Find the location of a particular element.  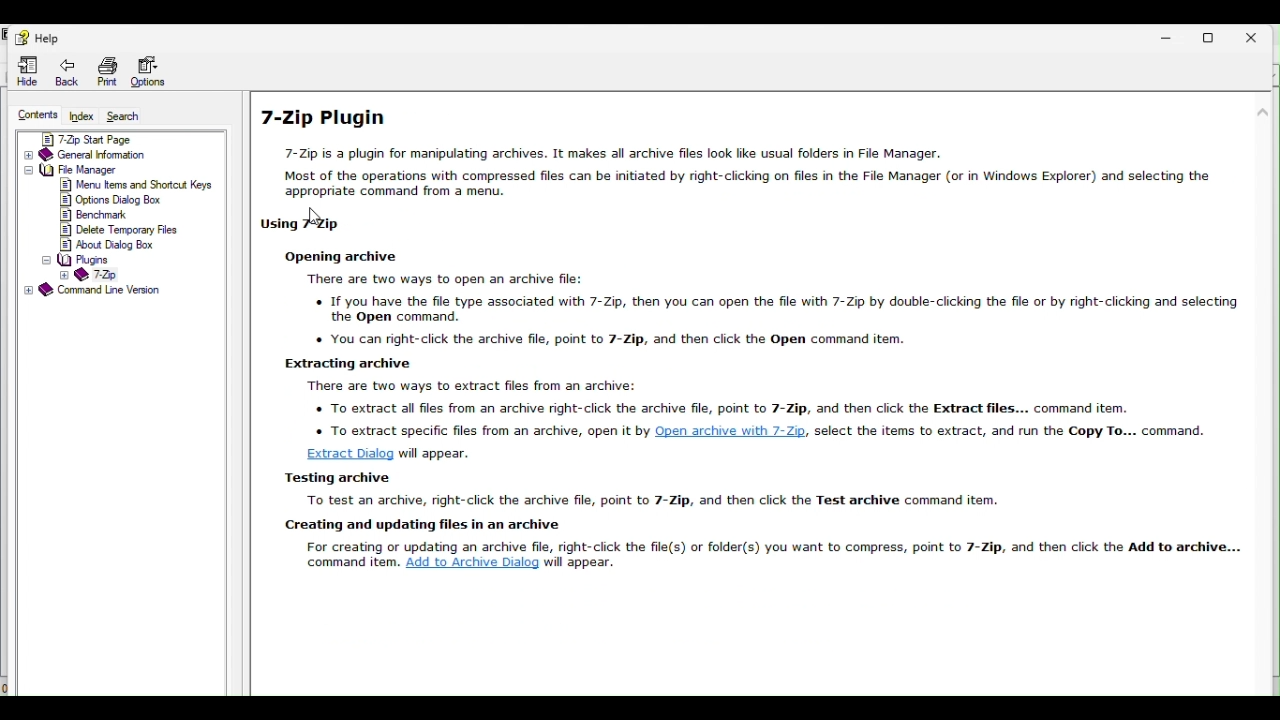

| creating and updating files in an archive is located at coordinates (423, 526).